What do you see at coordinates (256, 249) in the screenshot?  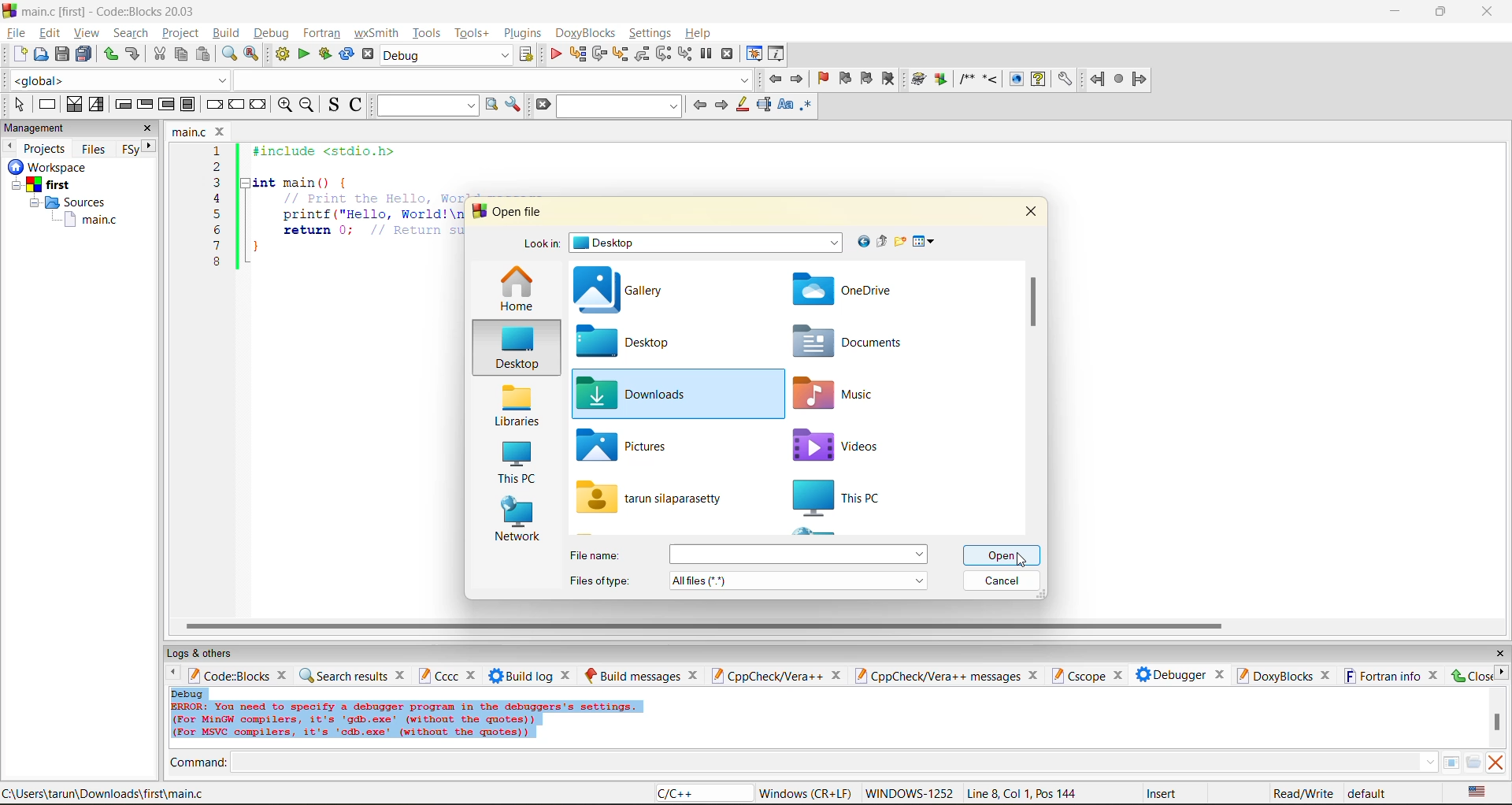 I see `}` at bounding box center [256, 249].